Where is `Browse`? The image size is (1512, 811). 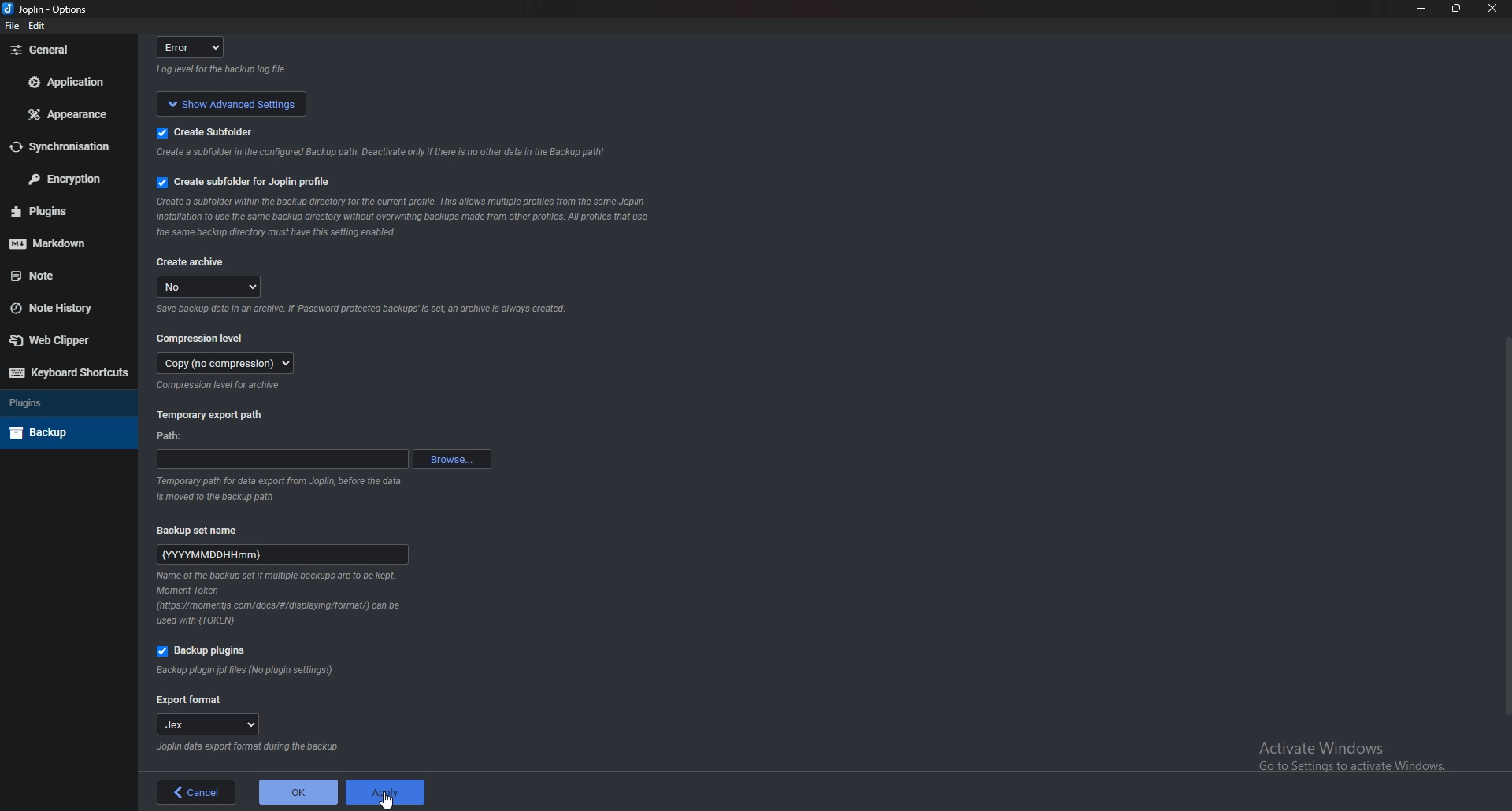 Browse is located at coordinates (452, 457).